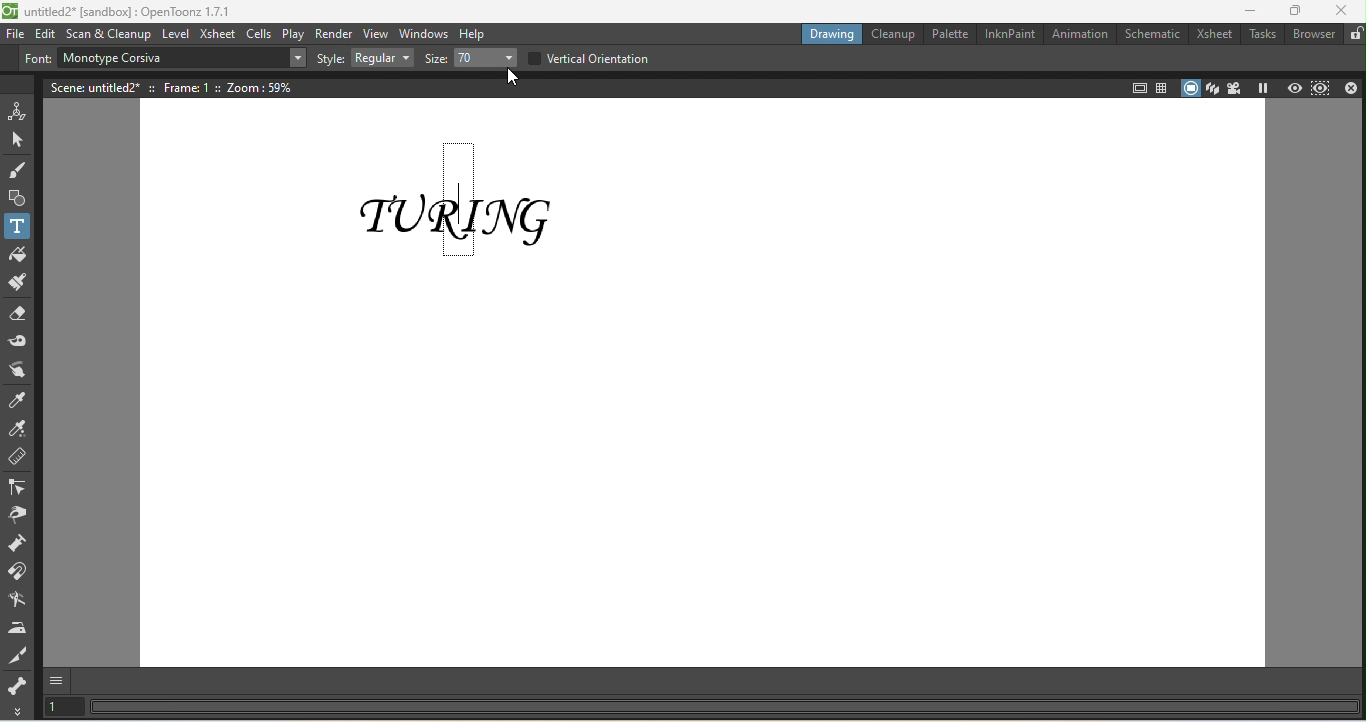 The image size is (1366, 722). Describe the element at coordinates (19, 711) in the screenshot. I see `More options` at that location.